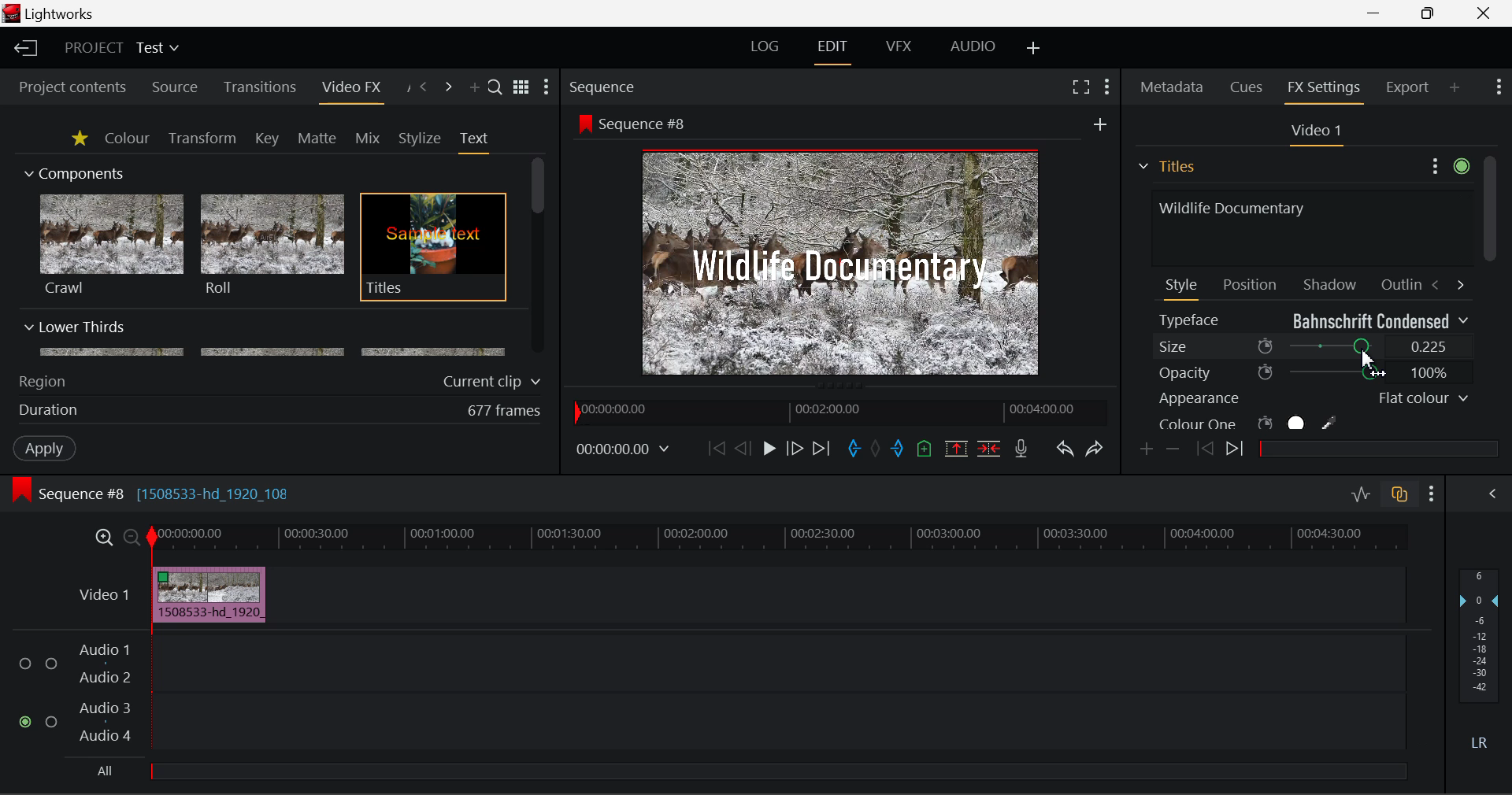 The width and height of the screenshot is (1512, 795). Describe the element at coordinates (773, 695) in the screenshot. I see `Audio Input` at that location.